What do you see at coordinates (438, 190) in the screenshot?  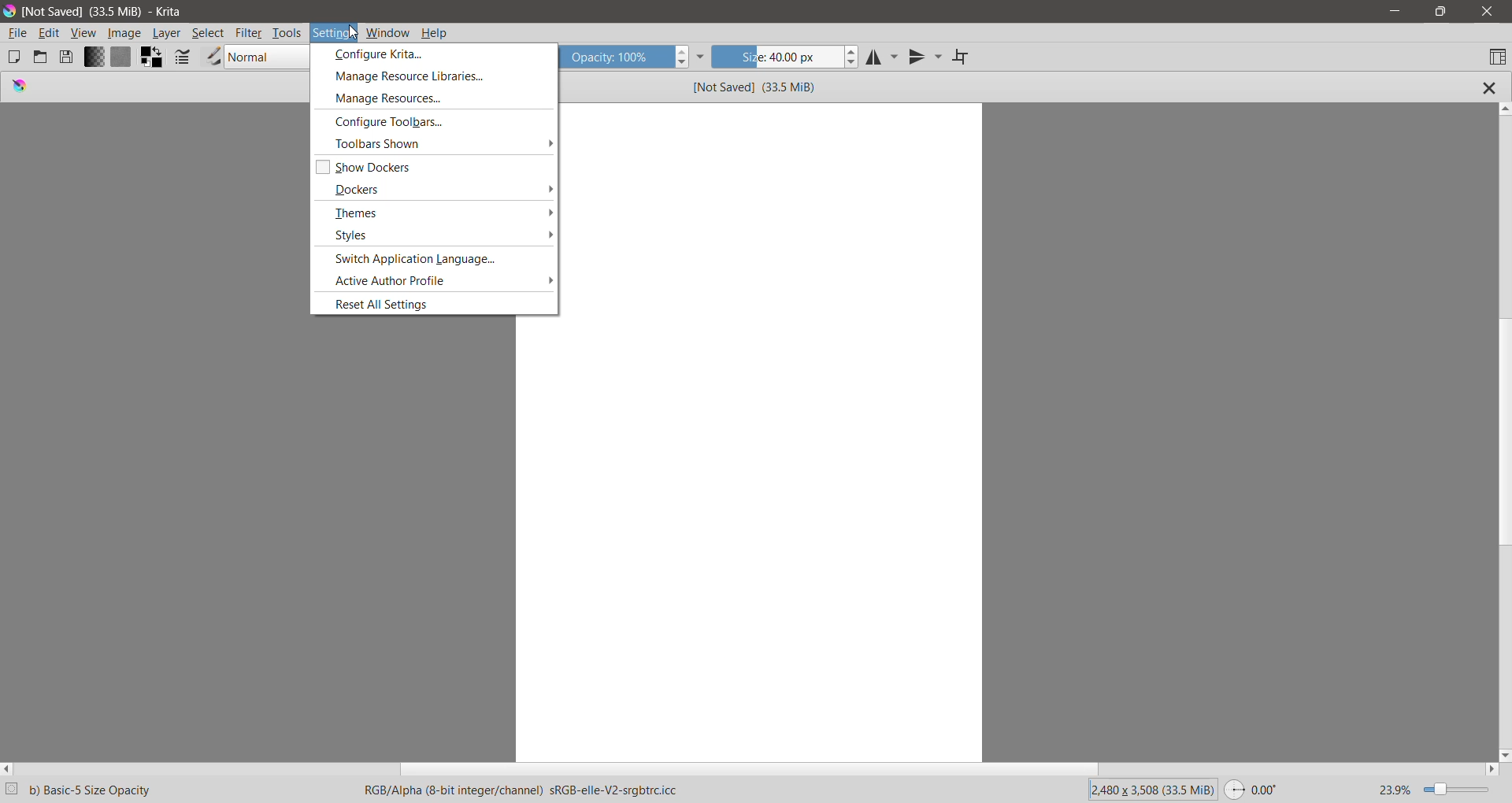 I see `Dockers` at bounding box center [438, 190].